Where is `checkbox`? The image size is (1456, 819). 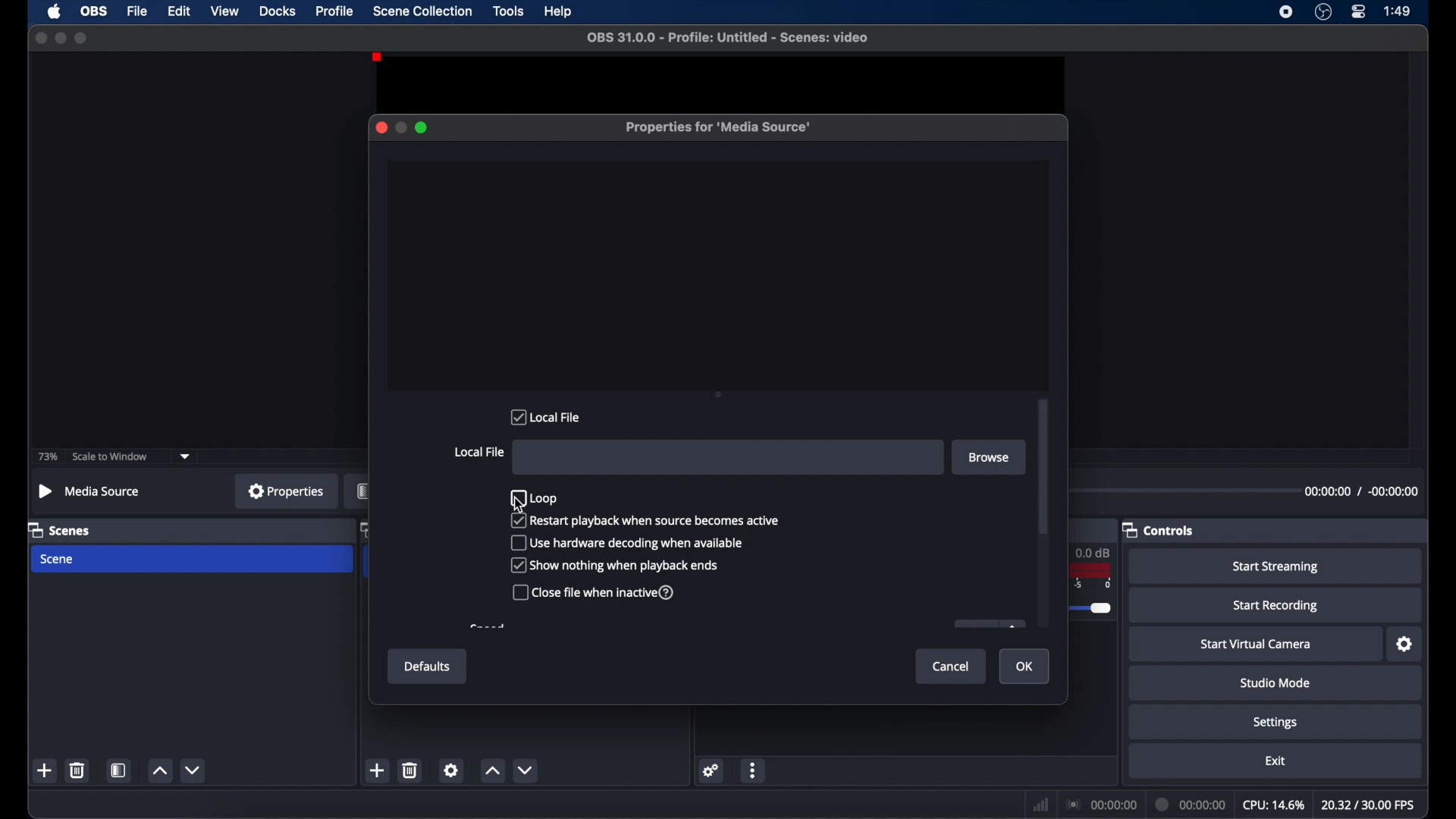
checkbox is located at coordinates (595, 592).